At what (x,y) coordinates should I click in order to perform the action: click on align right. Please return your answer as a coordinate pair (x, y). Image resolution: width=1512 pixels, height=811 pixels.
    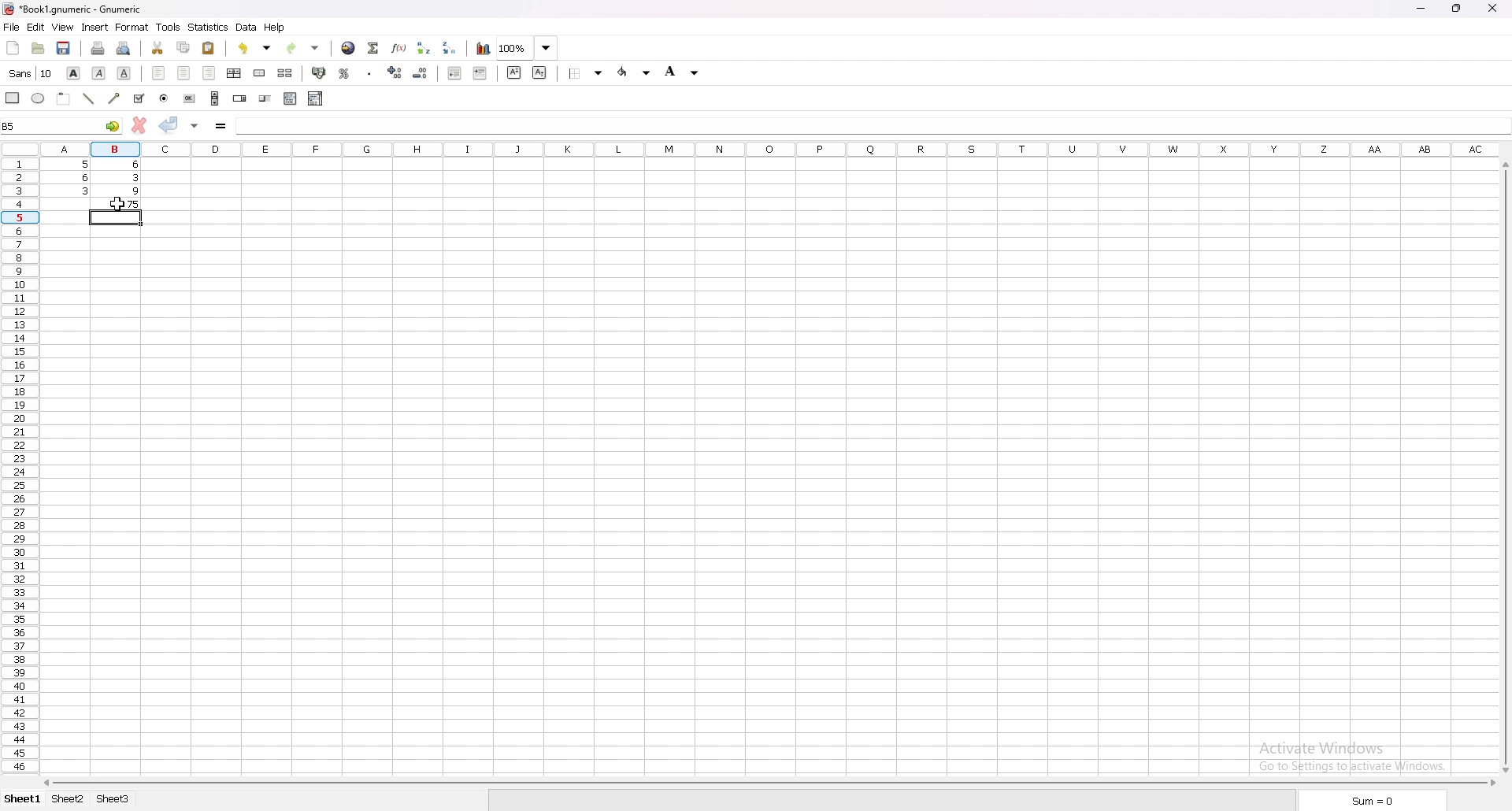
    Looking at the image, I should click on (211, 74).